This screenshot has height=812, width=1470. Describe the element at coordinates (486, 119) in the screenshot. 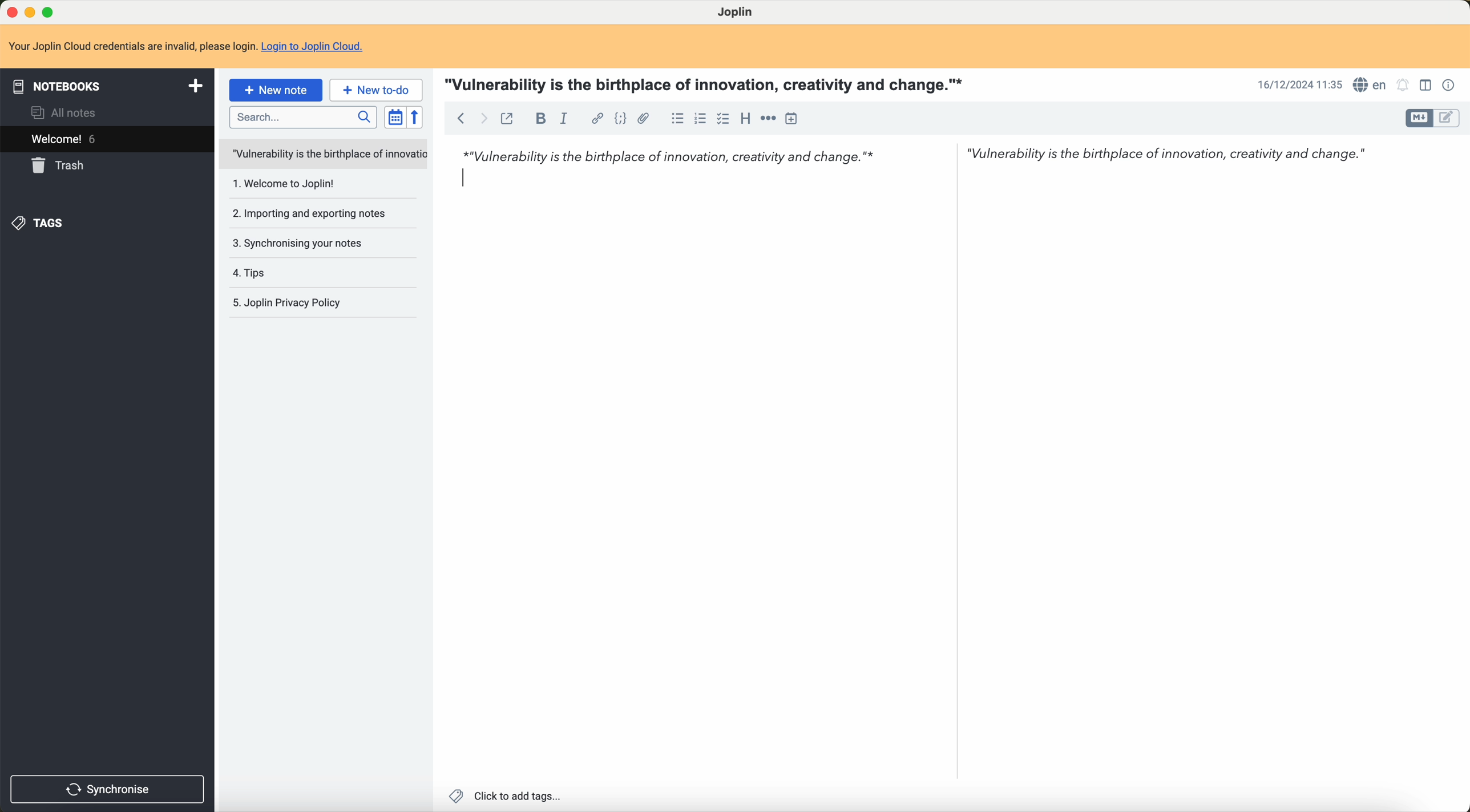

I see `foward` at that location.